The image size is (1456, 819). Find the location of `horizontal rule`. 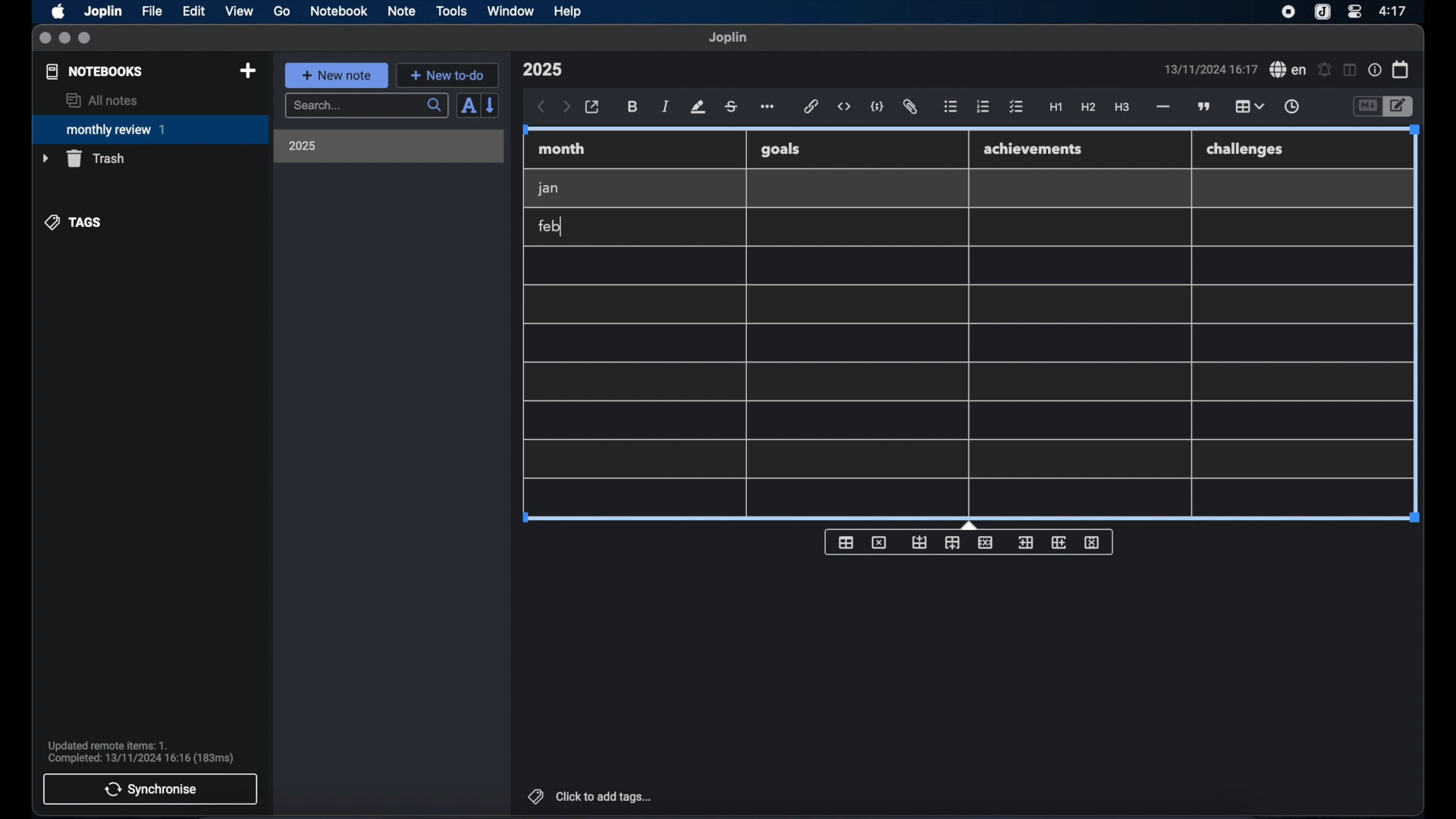

horizontal rule is located at coordinates (1162, 107).